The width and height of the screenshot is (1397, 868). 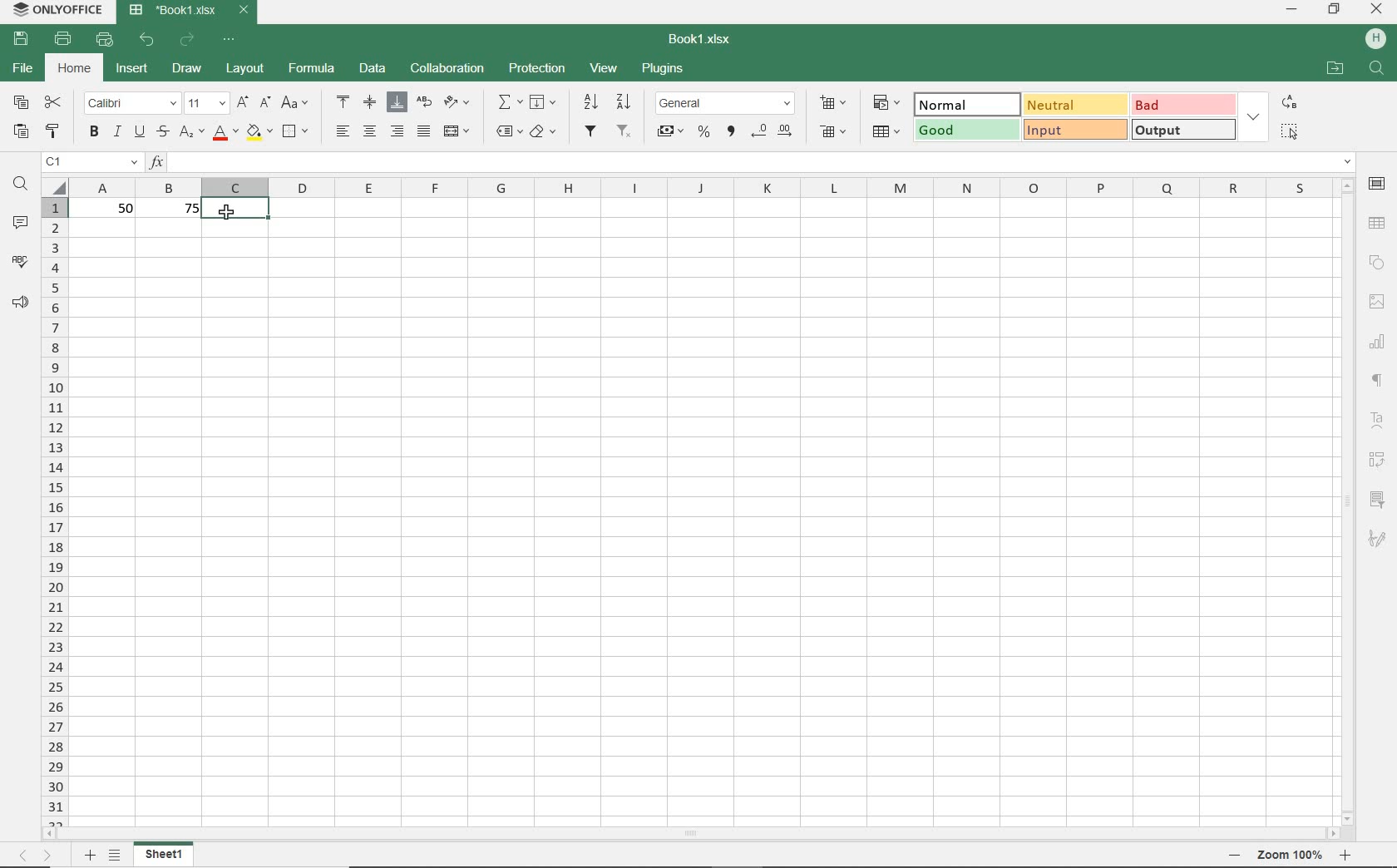 What do you see at coordinates (590, 102) in the screenshot?
I see `sort ascending` at bounding box center [590, 102].